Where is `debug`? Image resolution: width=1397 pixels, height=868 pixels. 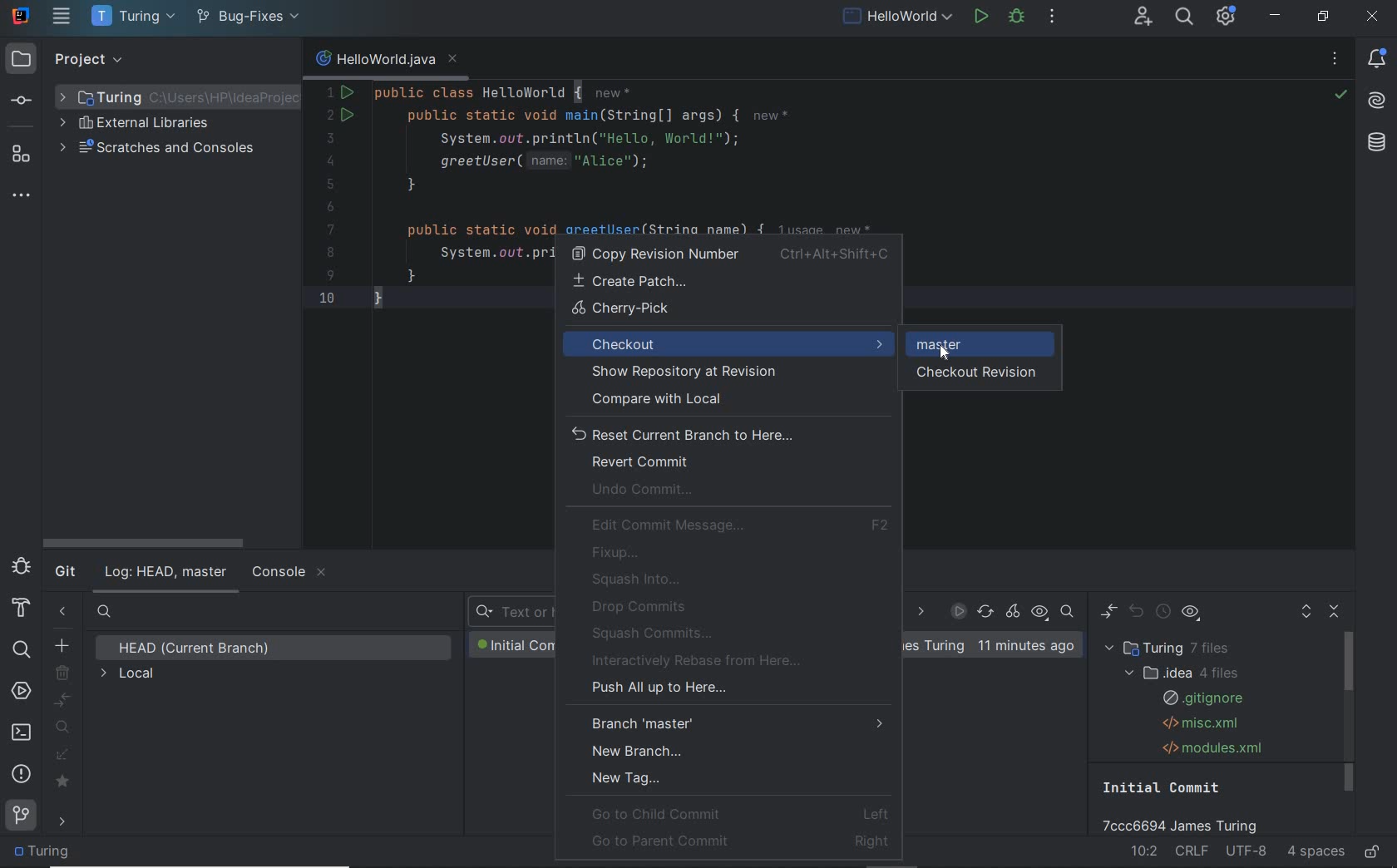 debug is located at coordinates (1016, 18).